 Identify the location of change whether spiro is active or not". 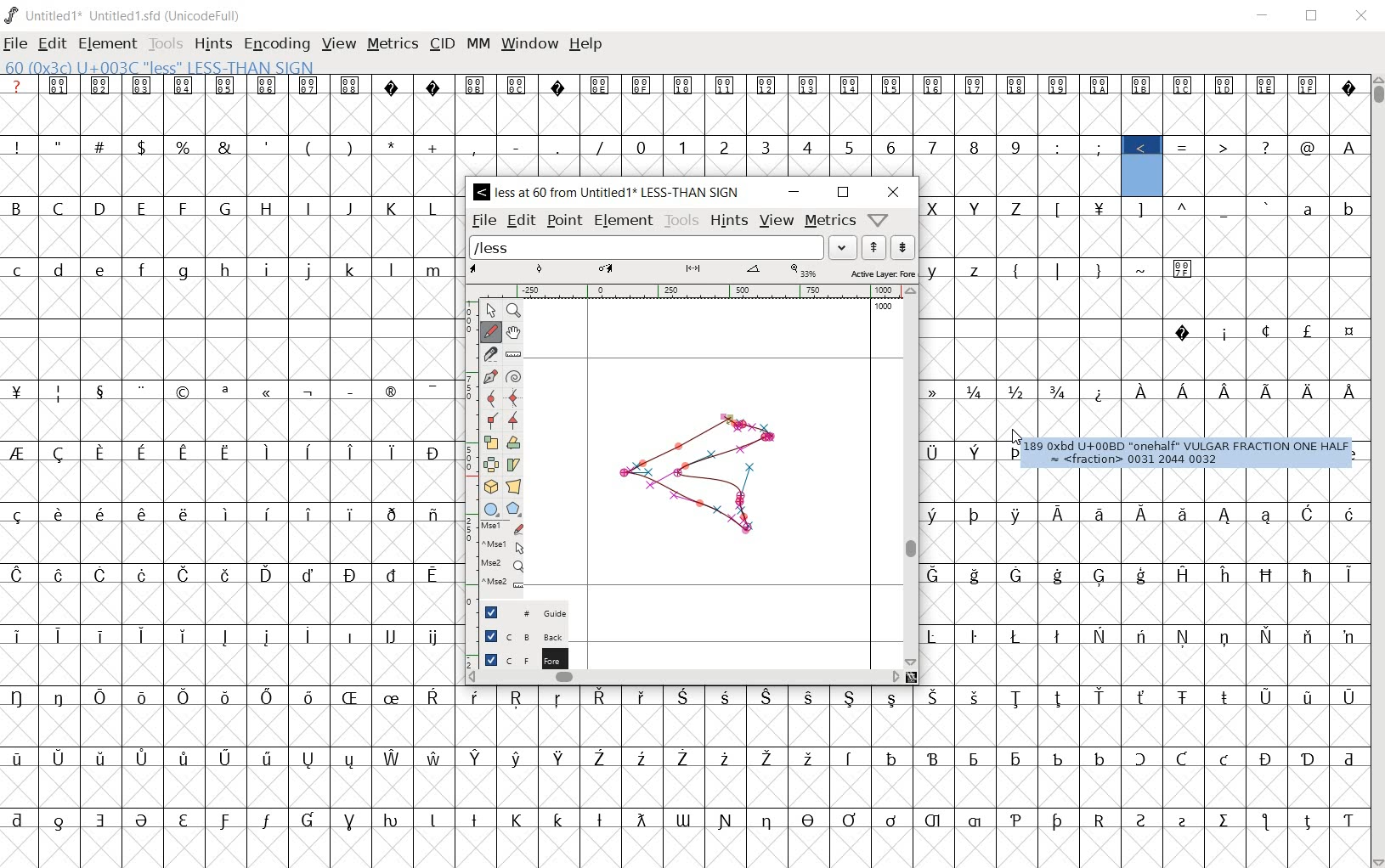
(512, 375).